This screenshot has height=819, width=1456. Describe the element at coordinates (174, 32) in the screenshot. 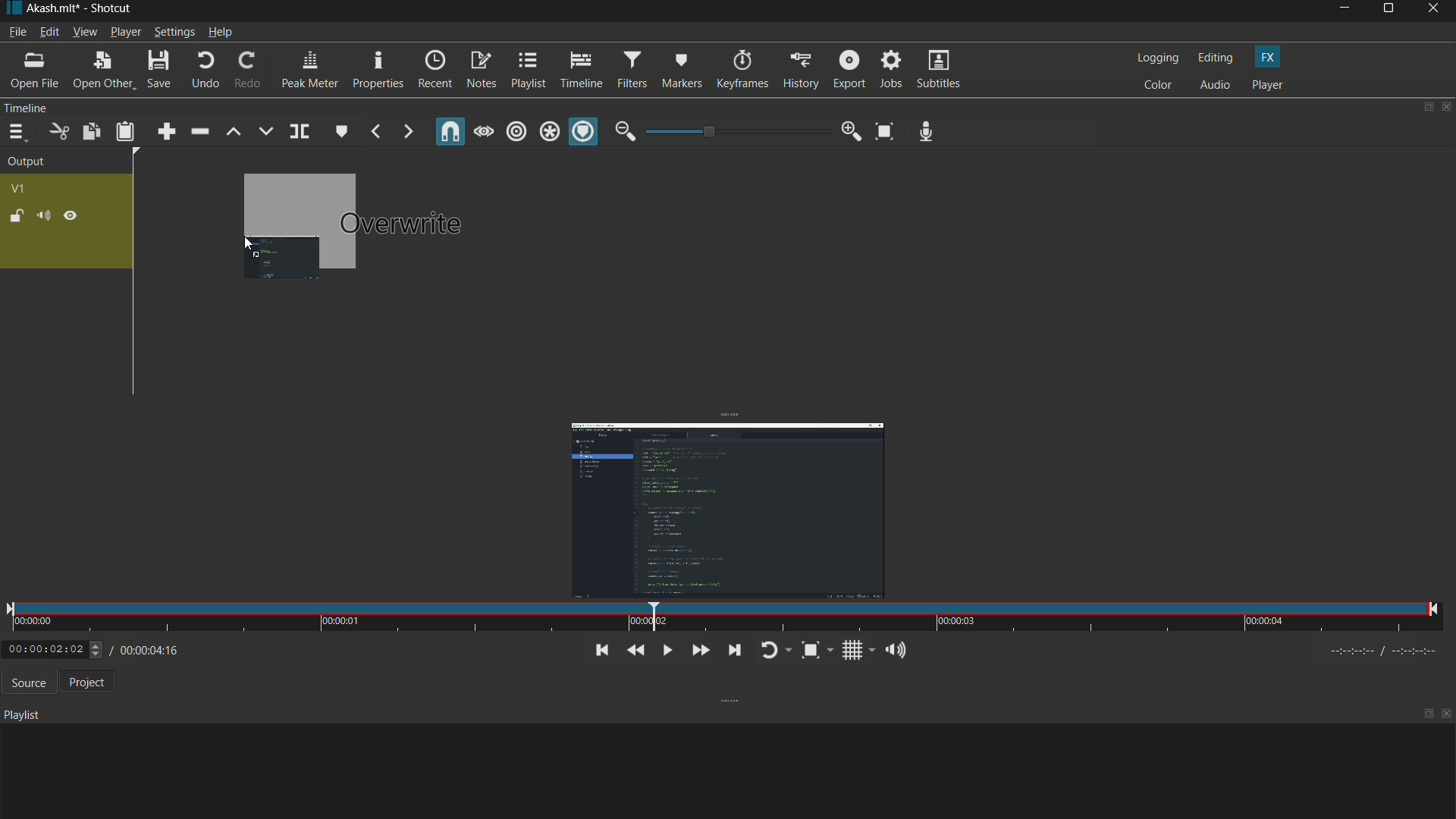

I see `settings menu` at that location.